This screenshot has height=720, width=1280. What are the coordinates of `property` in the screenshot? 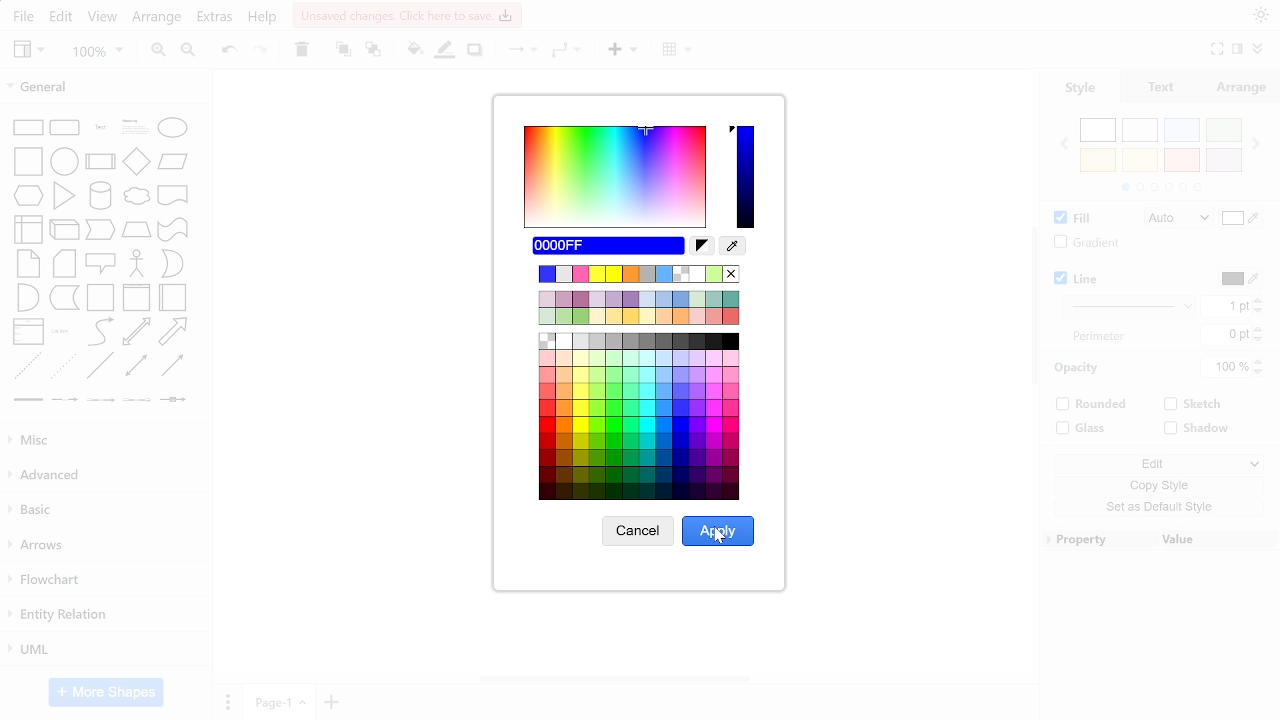 It's located at (1097, 539).